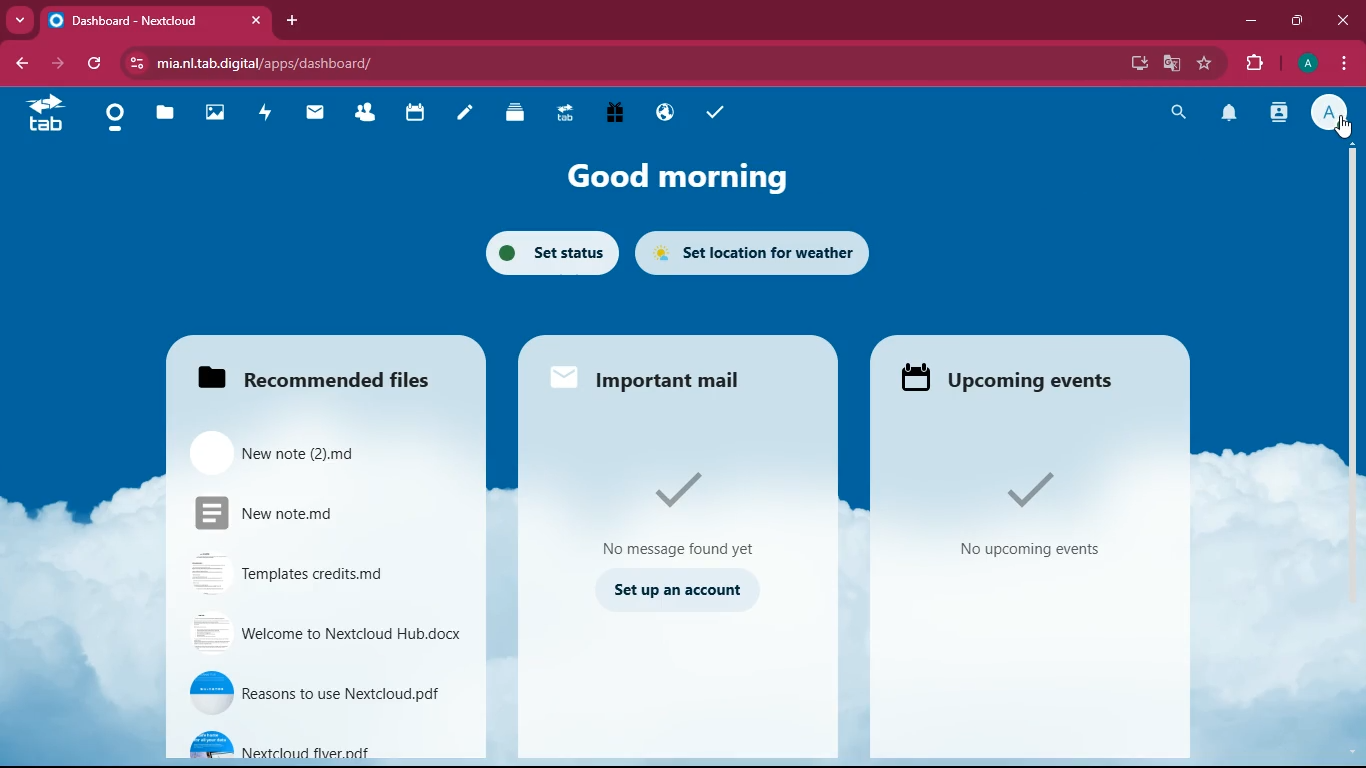 The width and height of the screenshot is (1366, 768). What do you see at coordinates (415, 115) in the screenshot?
I see `calendar` at bounding box center [415, 115].